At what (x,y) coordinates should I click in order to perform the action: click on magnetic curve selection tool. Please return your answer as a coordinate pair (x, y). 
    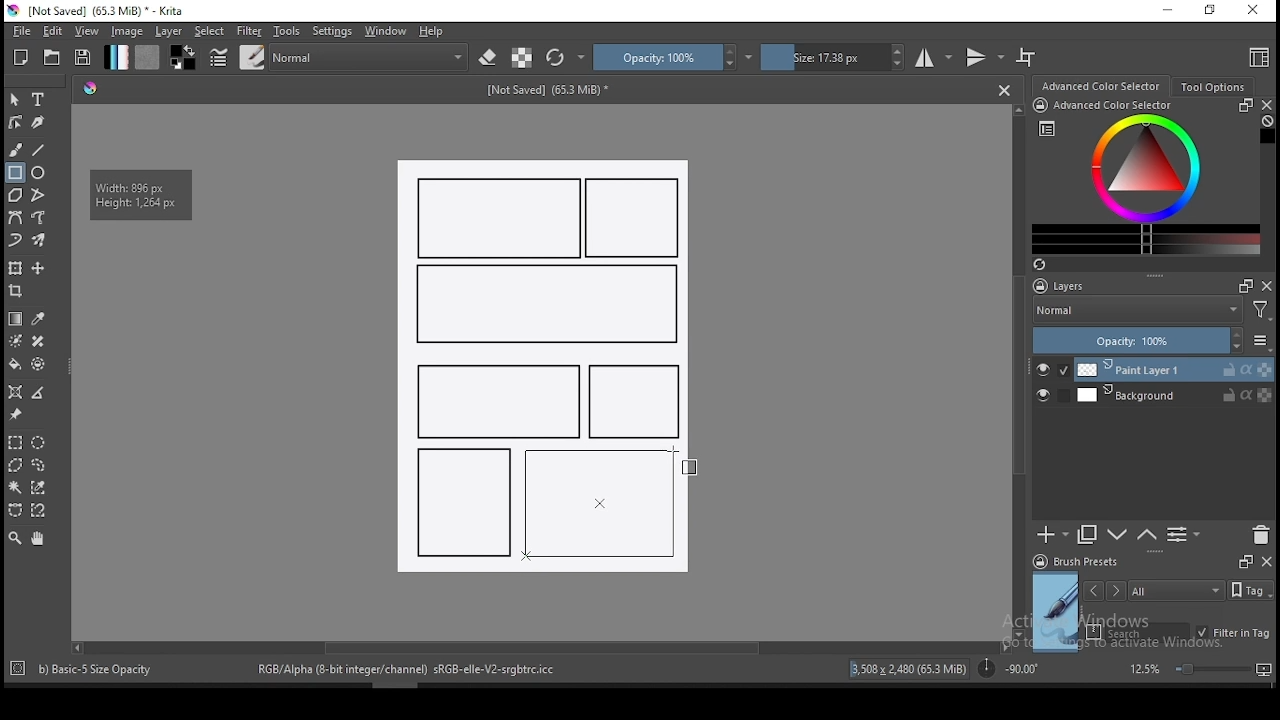
    Looking at the image, I should click on (36, 510).